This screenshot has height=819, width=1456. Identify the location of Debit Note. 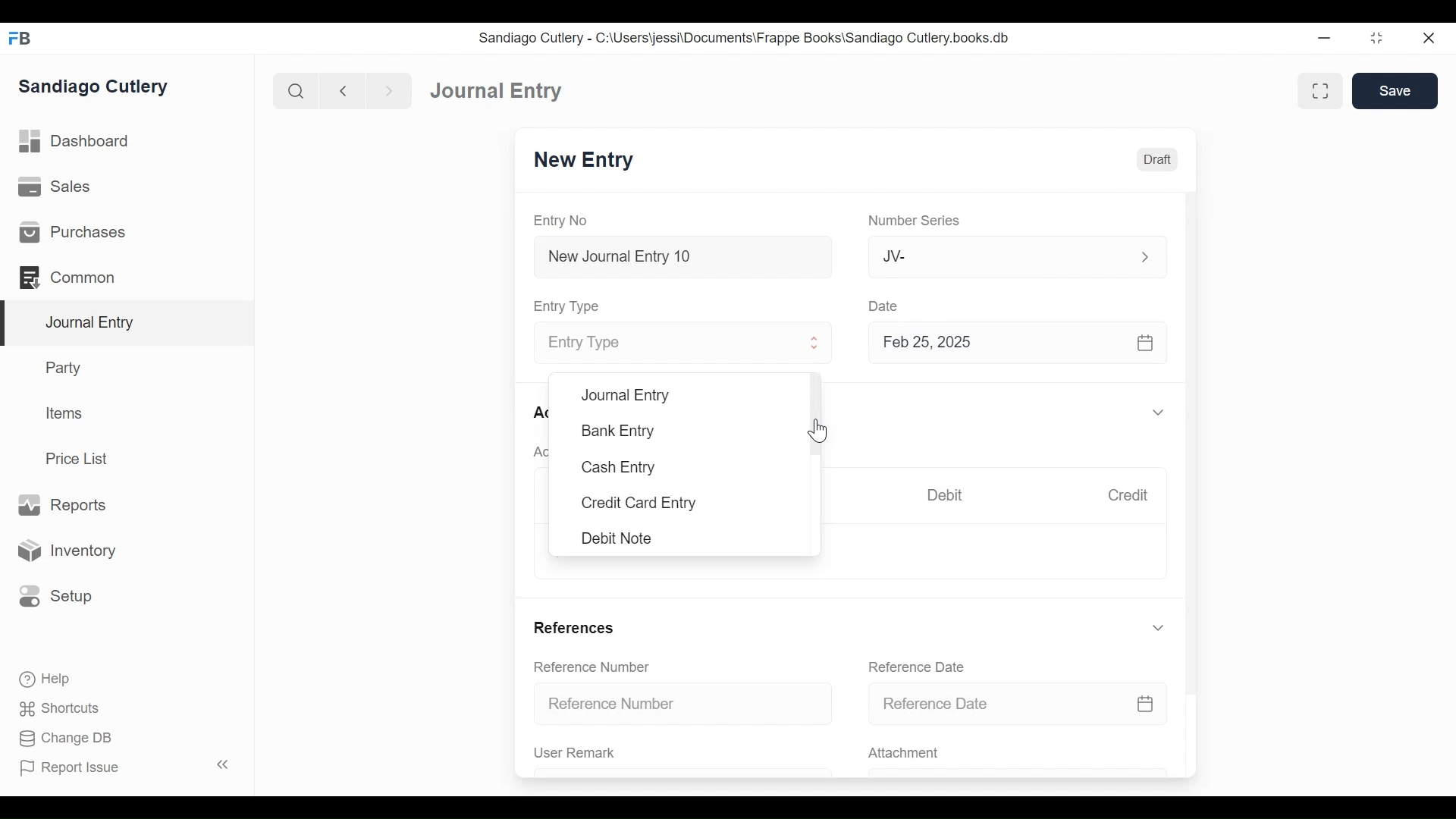
(615, 538).